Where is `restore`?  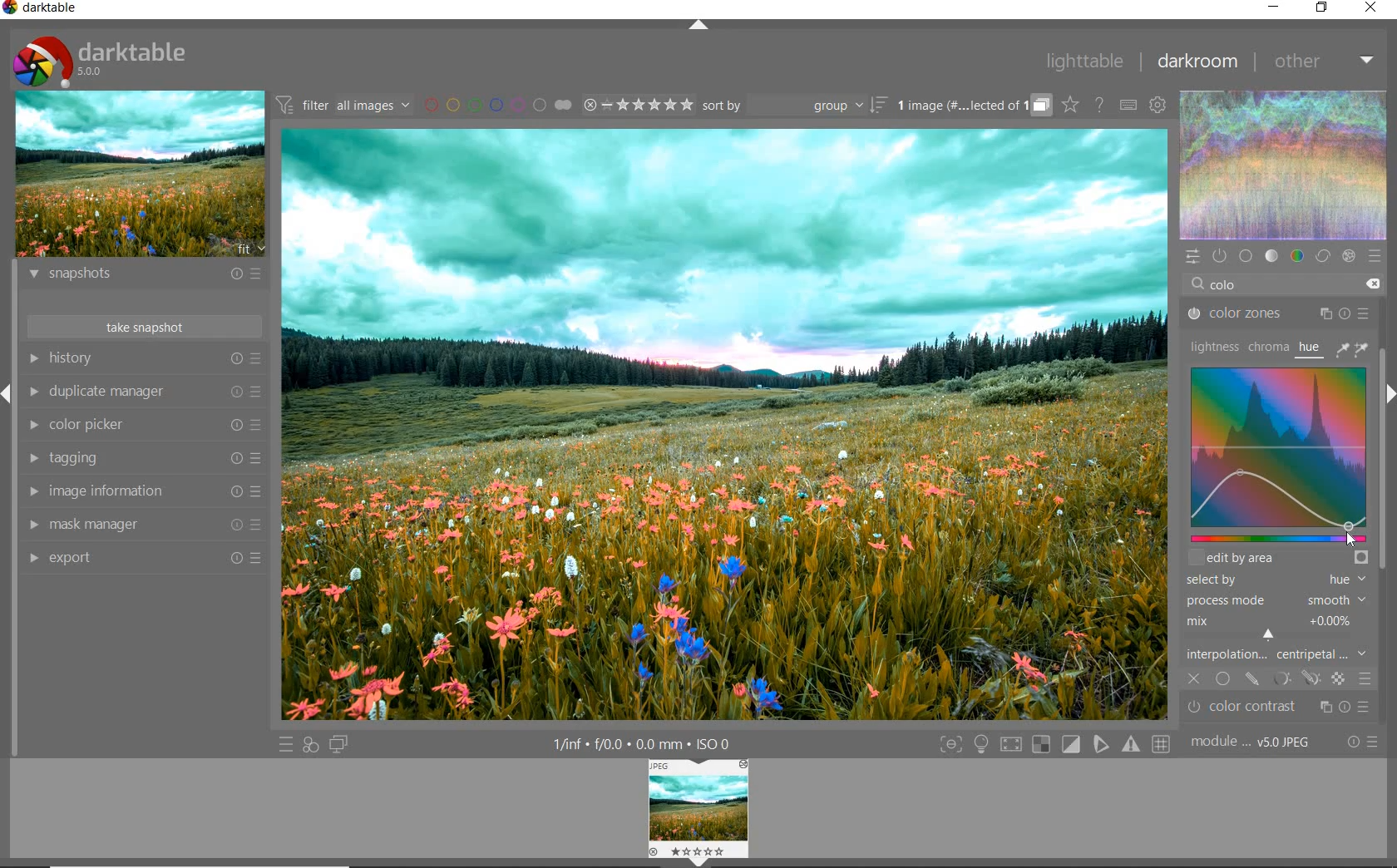 restore is located at coordinates (1324, 8).